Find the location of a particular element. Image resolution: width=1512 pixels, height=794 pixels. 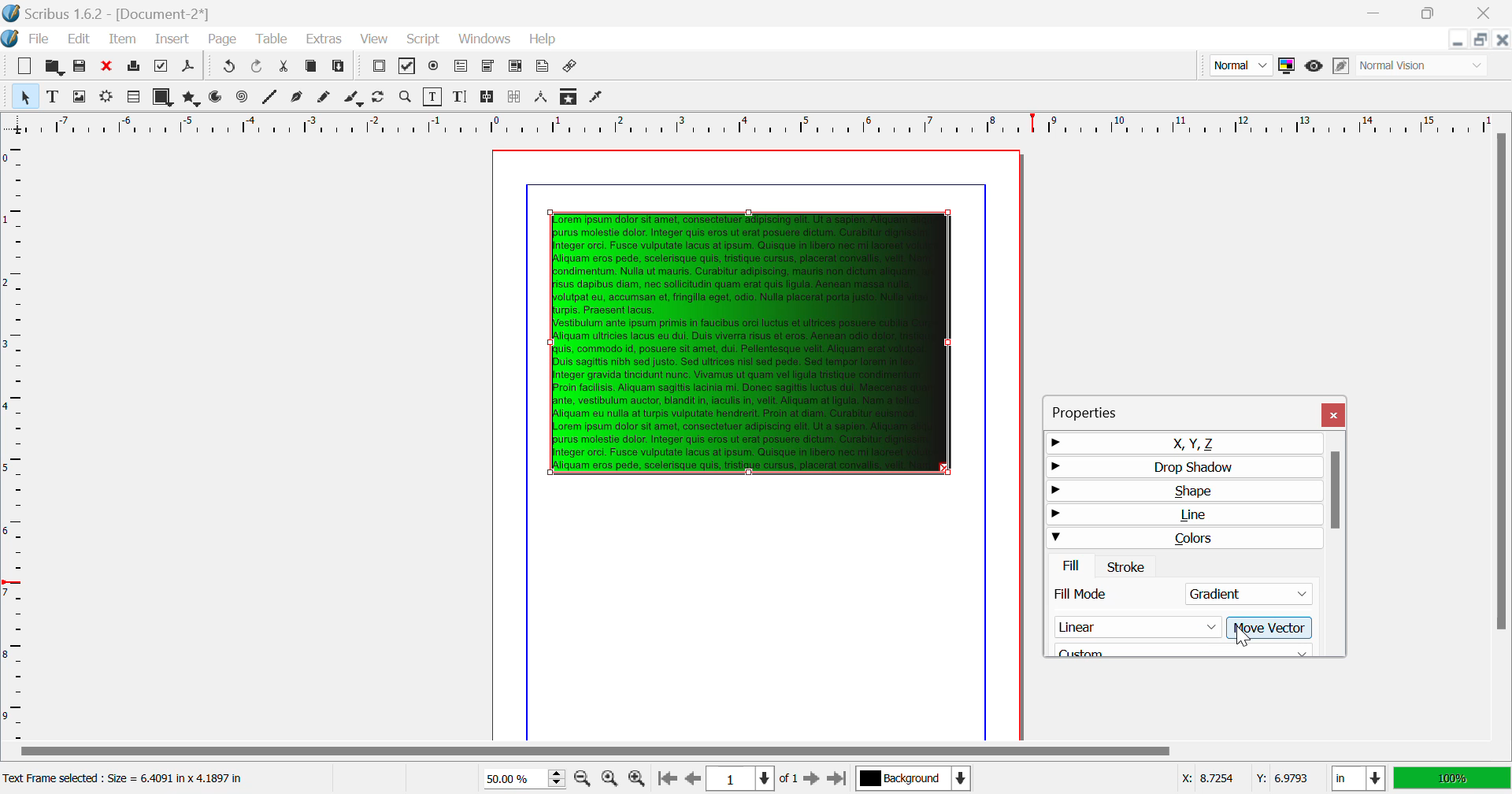

Bezier Curve is located at coordinates (298, 98).